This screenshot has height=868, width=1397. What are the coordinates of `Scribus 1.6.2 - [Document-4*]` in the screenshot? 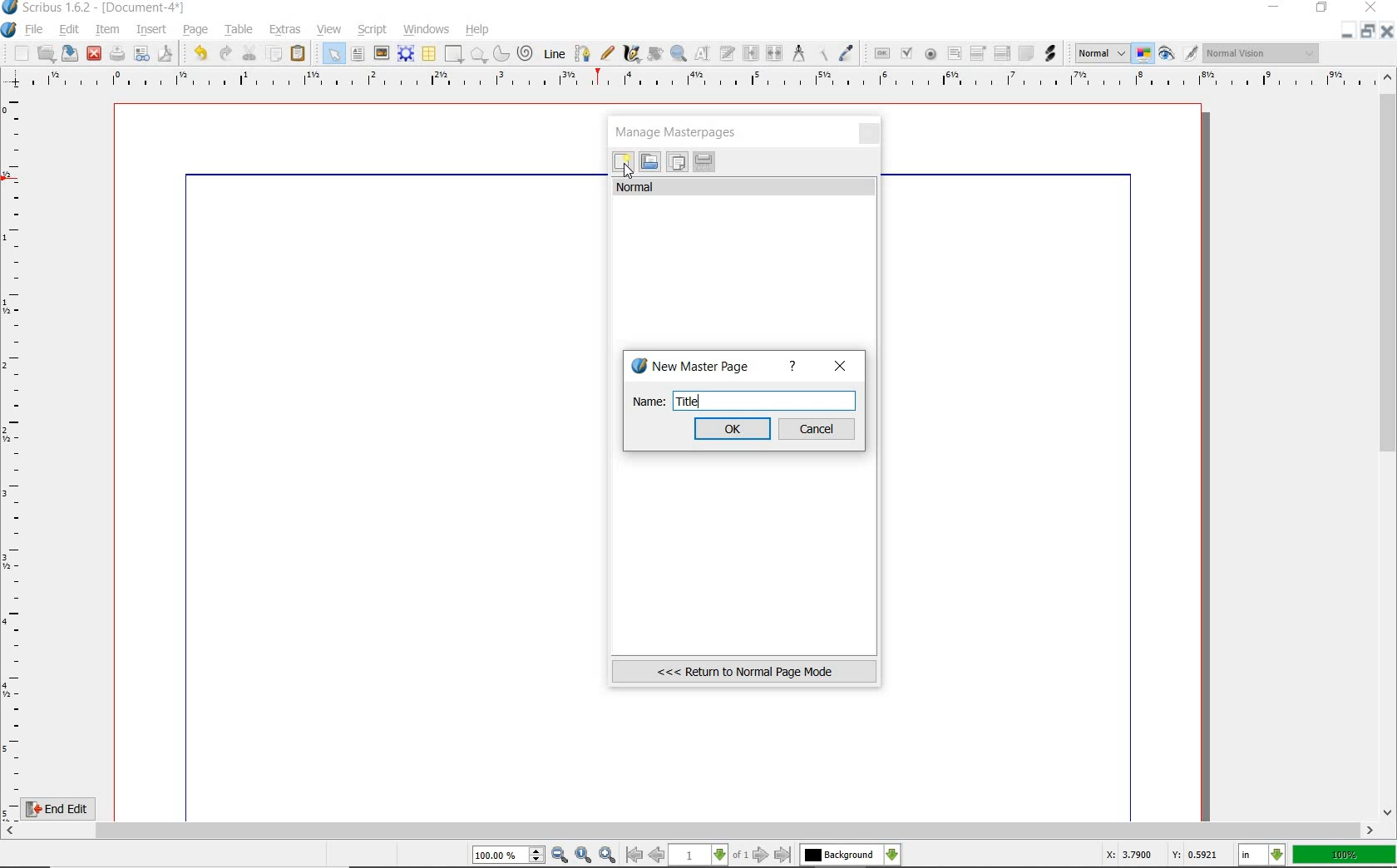 It's located at (95, 8).